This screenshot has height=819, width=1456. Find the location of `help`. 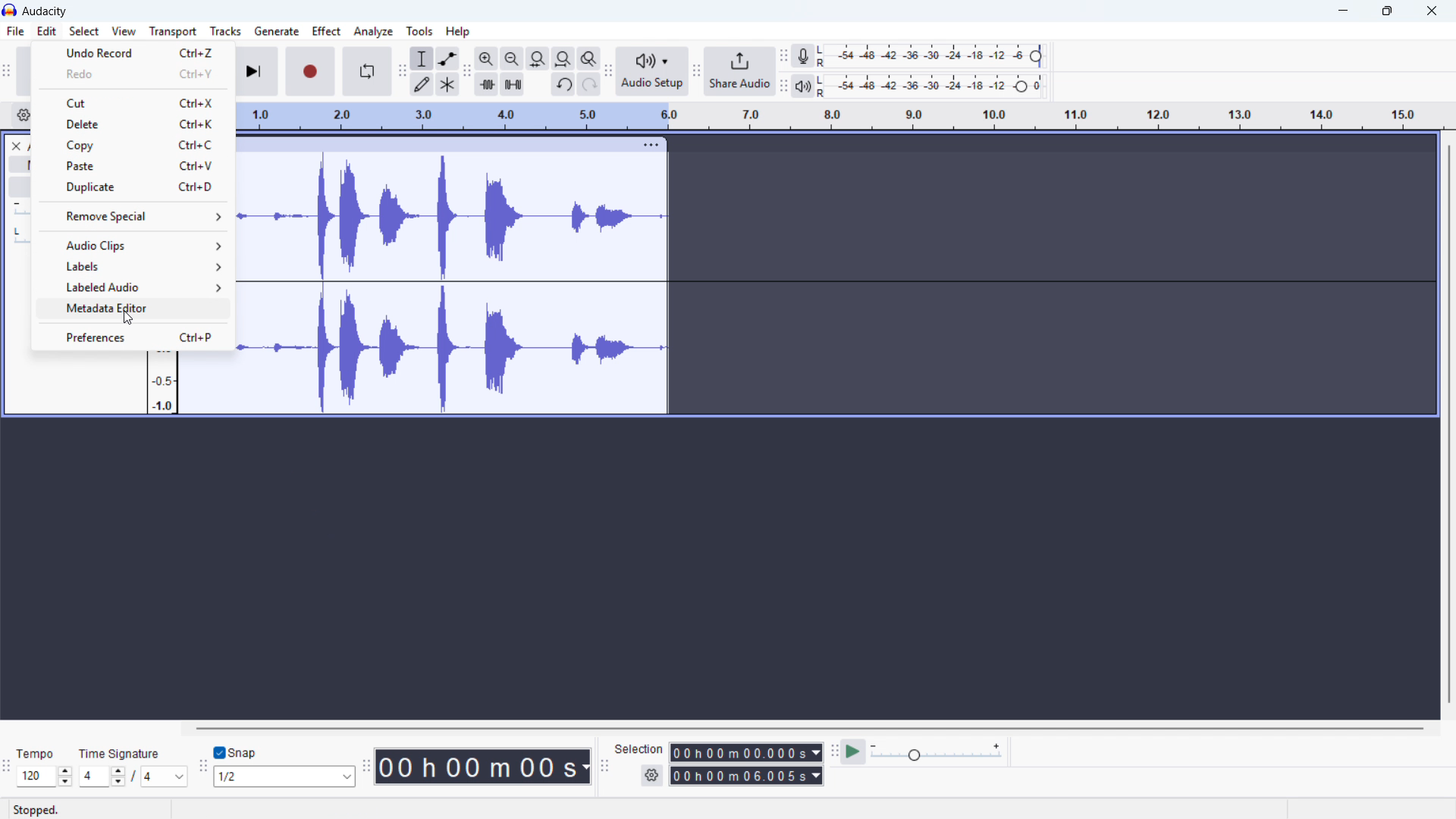

help is located at coordinates (459, 30).